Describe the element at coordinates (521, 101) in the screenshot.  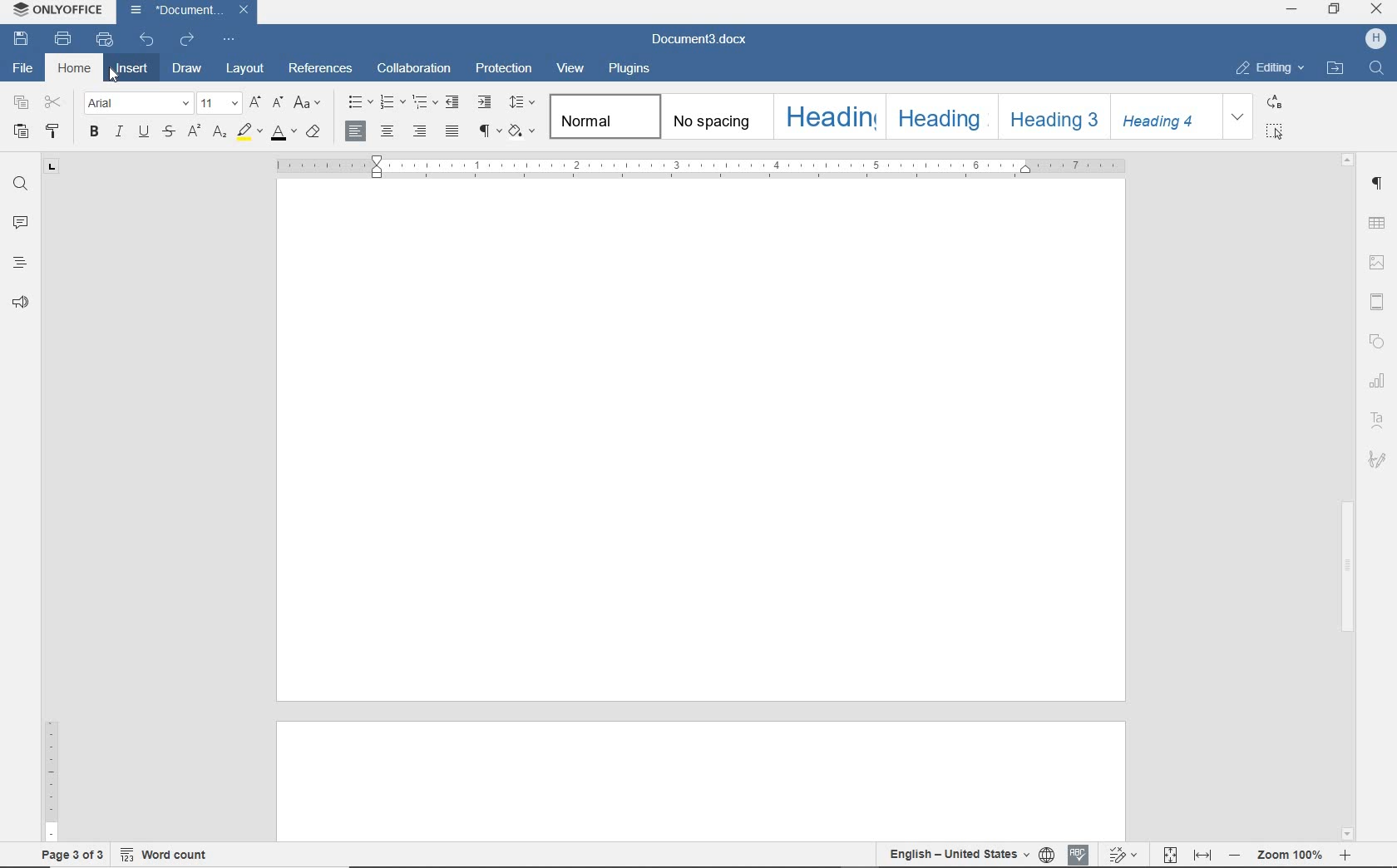
I see `PARAGRAPH LINE SPACING` at that location.